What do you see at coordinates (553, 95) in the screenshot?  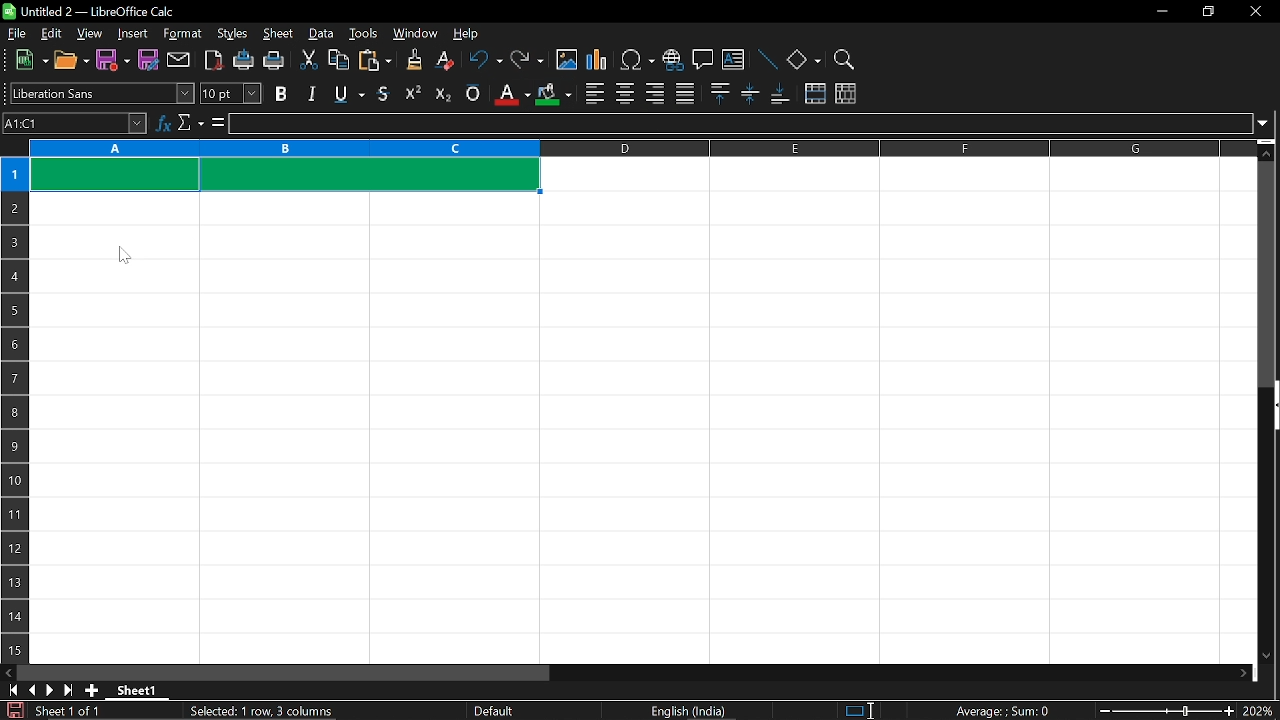 I see `cell color` at bounding box center [553, 95].